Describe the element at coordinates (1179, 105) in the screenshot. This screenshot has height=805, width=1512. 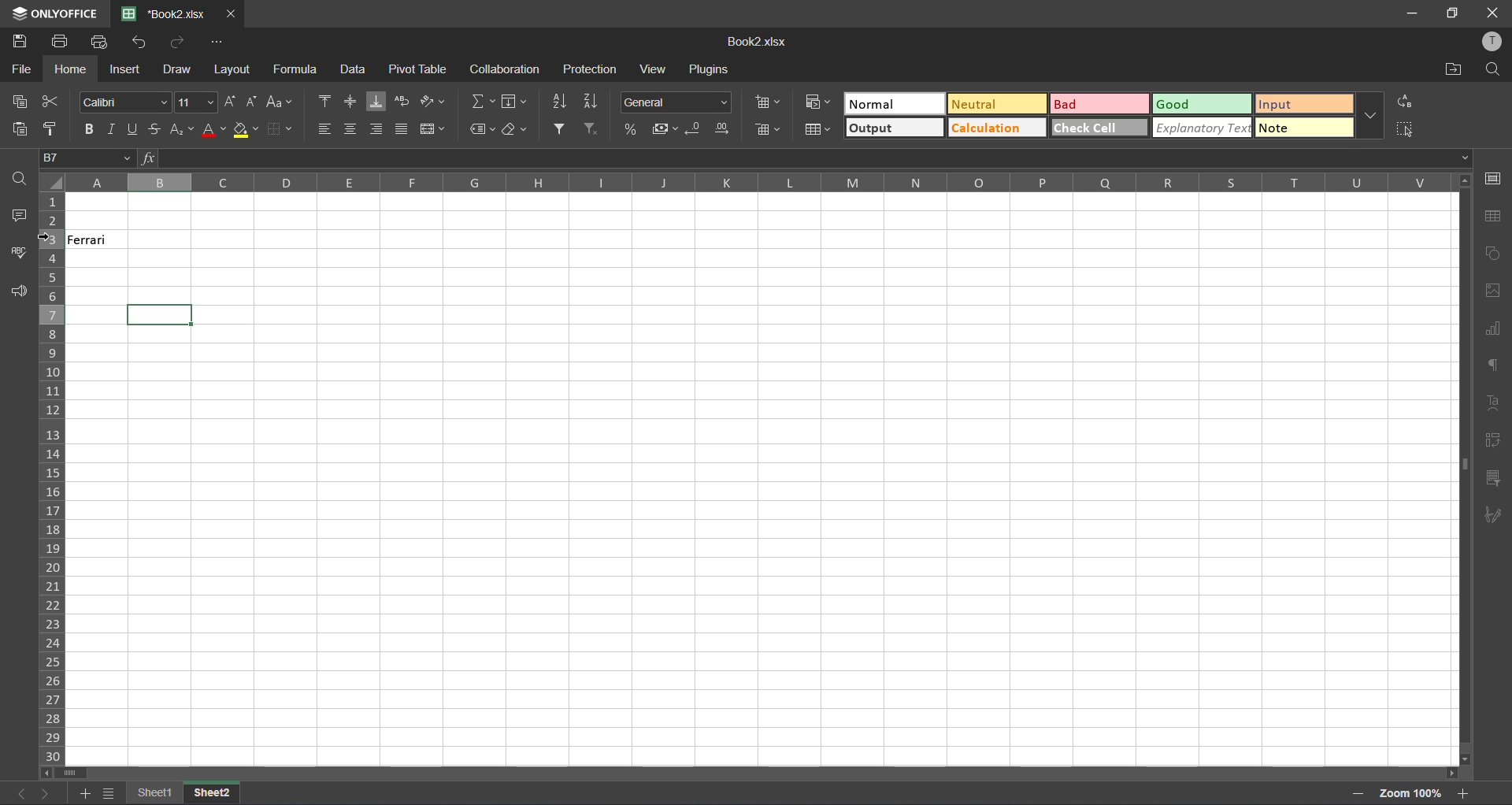
I see `good` at that location.